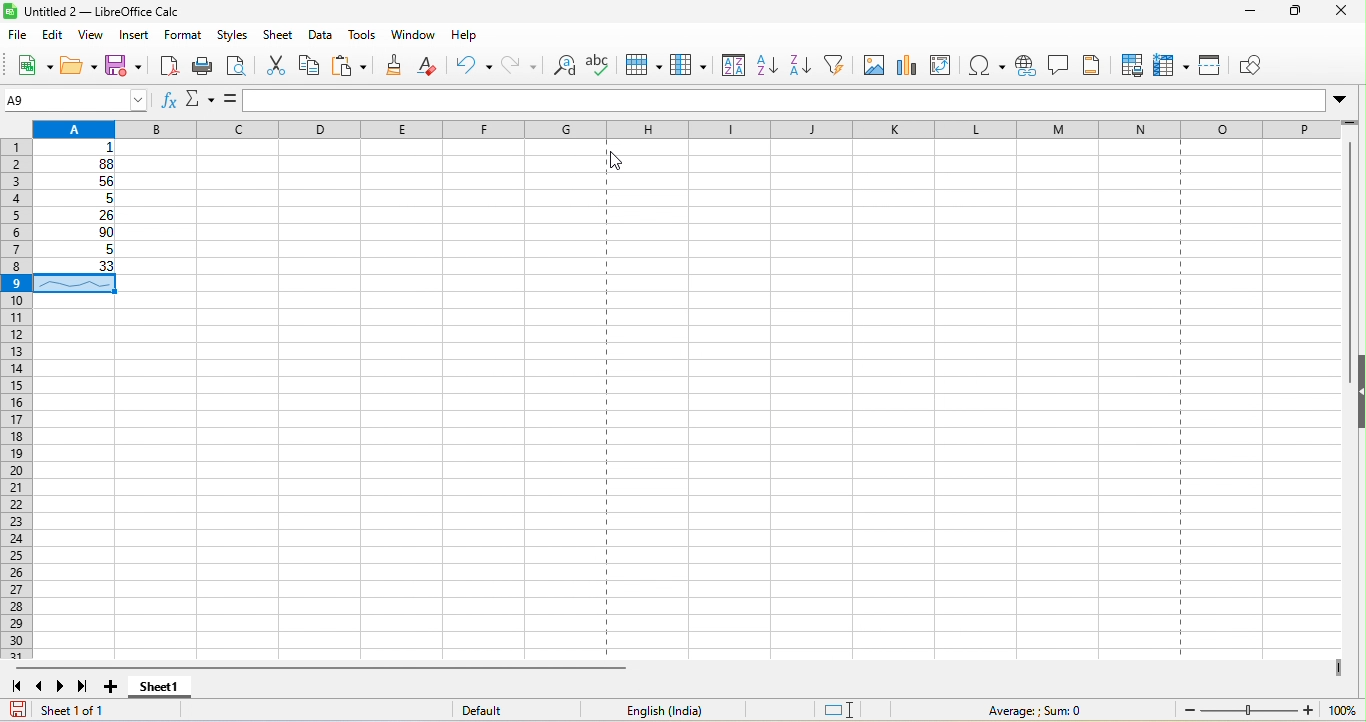  I want to click on Sheet 1 of 1, so click(86, 710).